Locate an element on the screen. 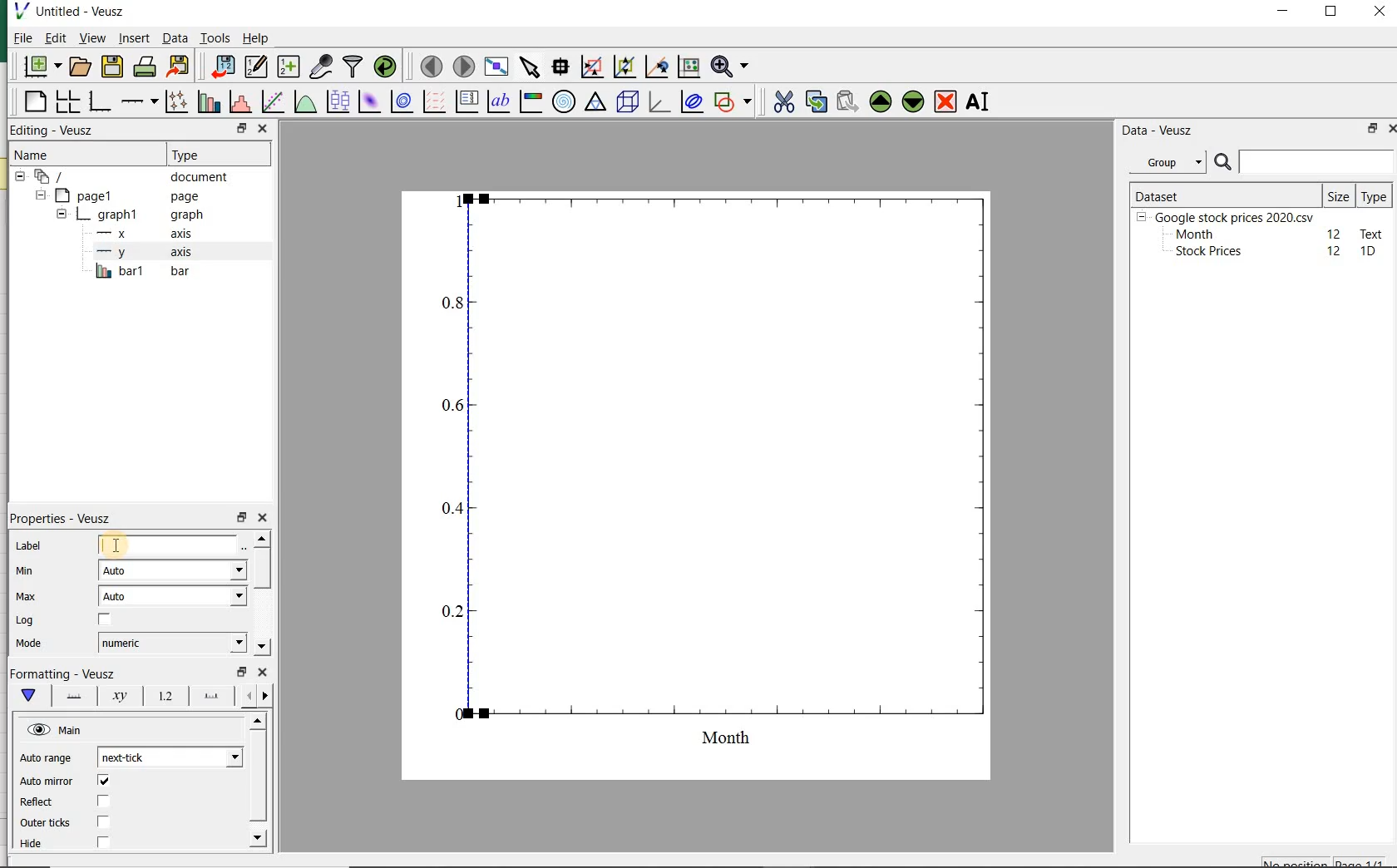  x axis is located at coordinates (137, 234).